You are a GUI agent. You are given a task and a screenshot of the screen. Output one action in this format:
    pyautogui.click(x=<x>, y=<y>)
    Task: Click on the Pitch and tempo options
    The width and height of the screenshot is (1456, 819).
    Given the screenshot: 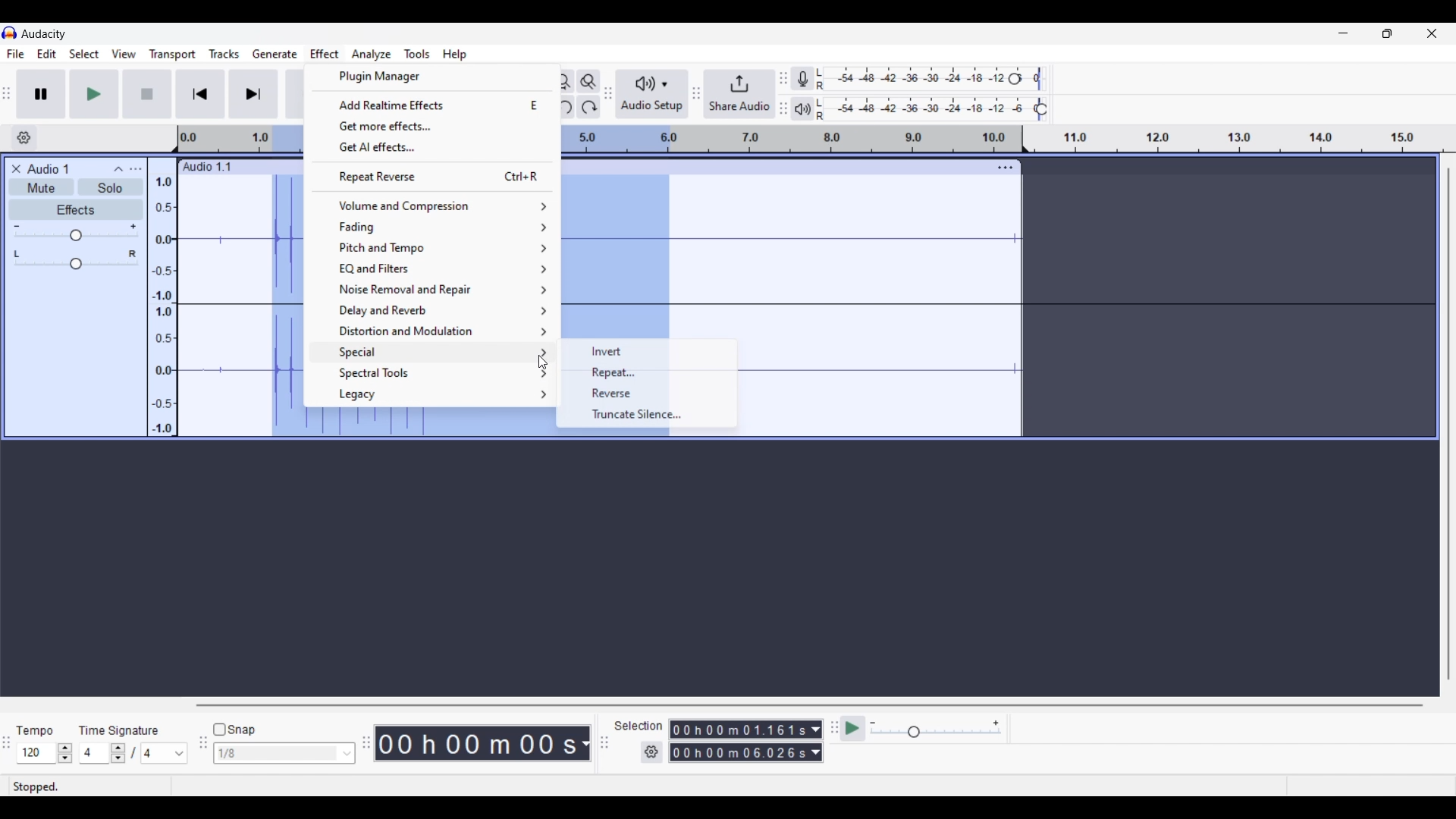 What is the action you would take?
    pyautogui.click(x=431, y=249)
    